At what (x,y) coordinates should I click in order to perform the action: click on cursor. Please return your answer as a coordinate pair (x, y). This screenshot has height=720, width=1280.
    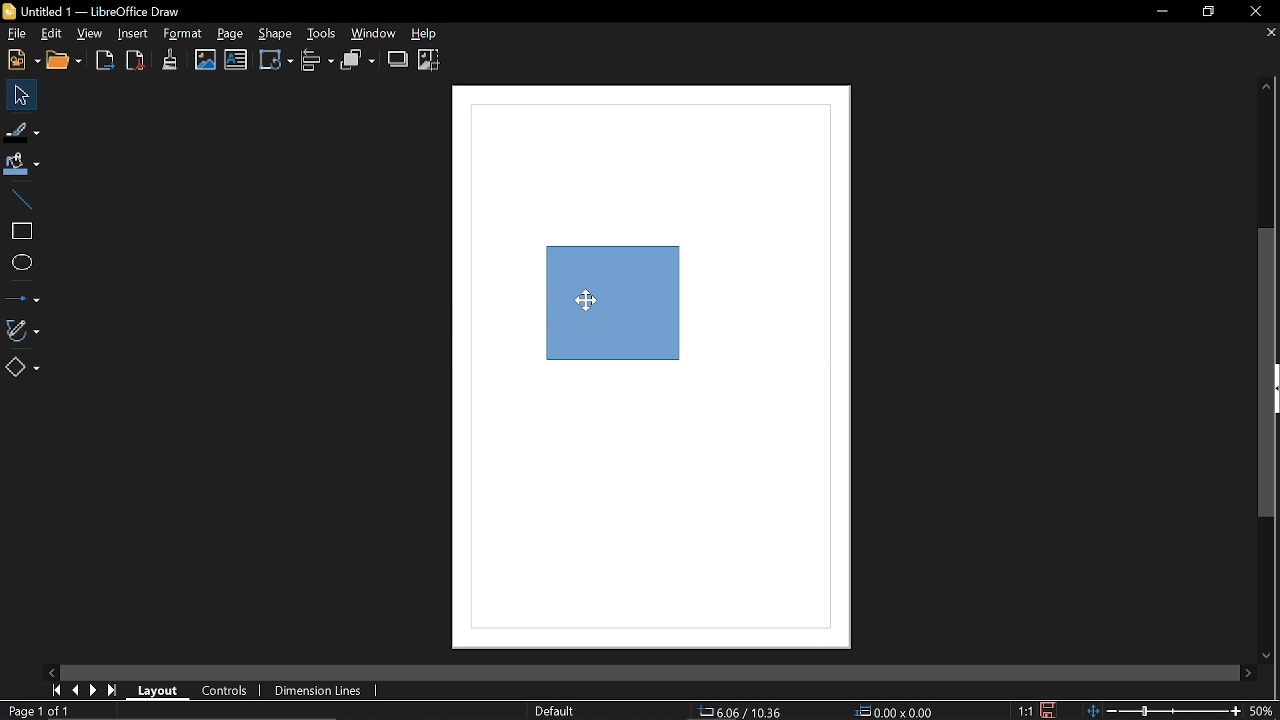
    Looking at the image, I should click on (588, 300).